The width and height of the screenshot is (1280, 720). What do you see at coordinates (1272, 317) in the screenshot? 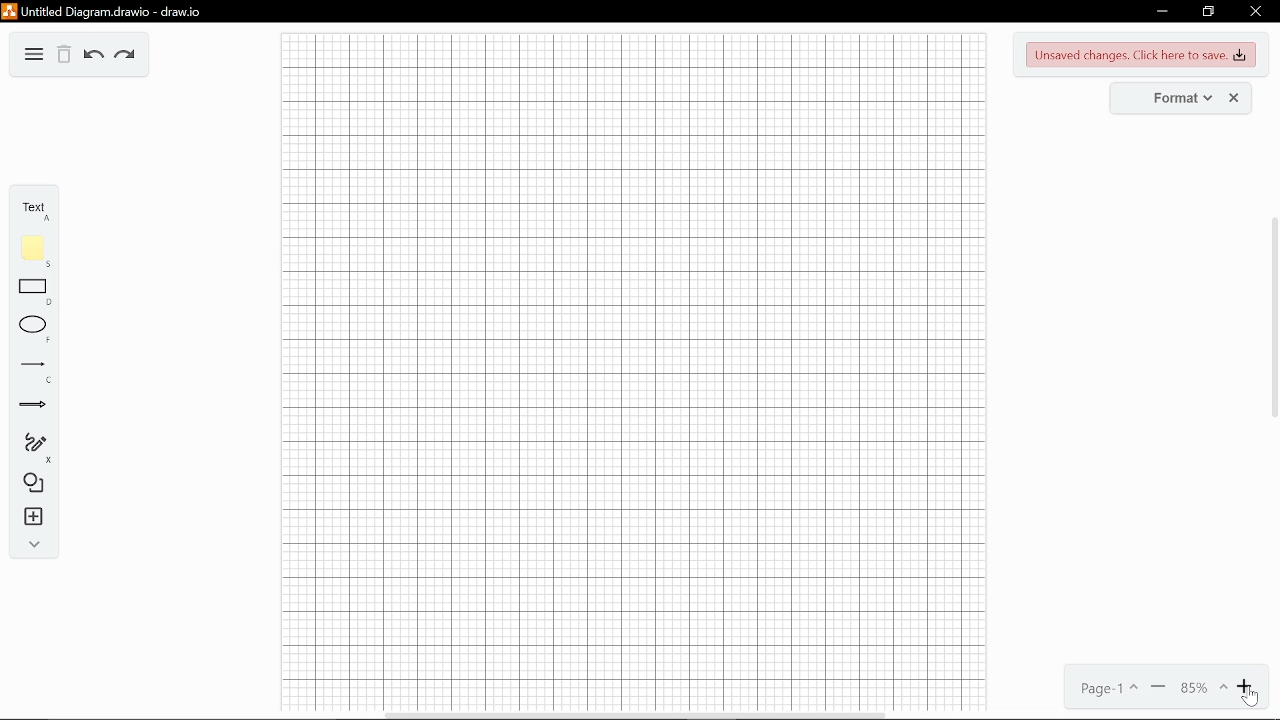
I see `vertical scrollbar` at bounding box center [1272, 317].